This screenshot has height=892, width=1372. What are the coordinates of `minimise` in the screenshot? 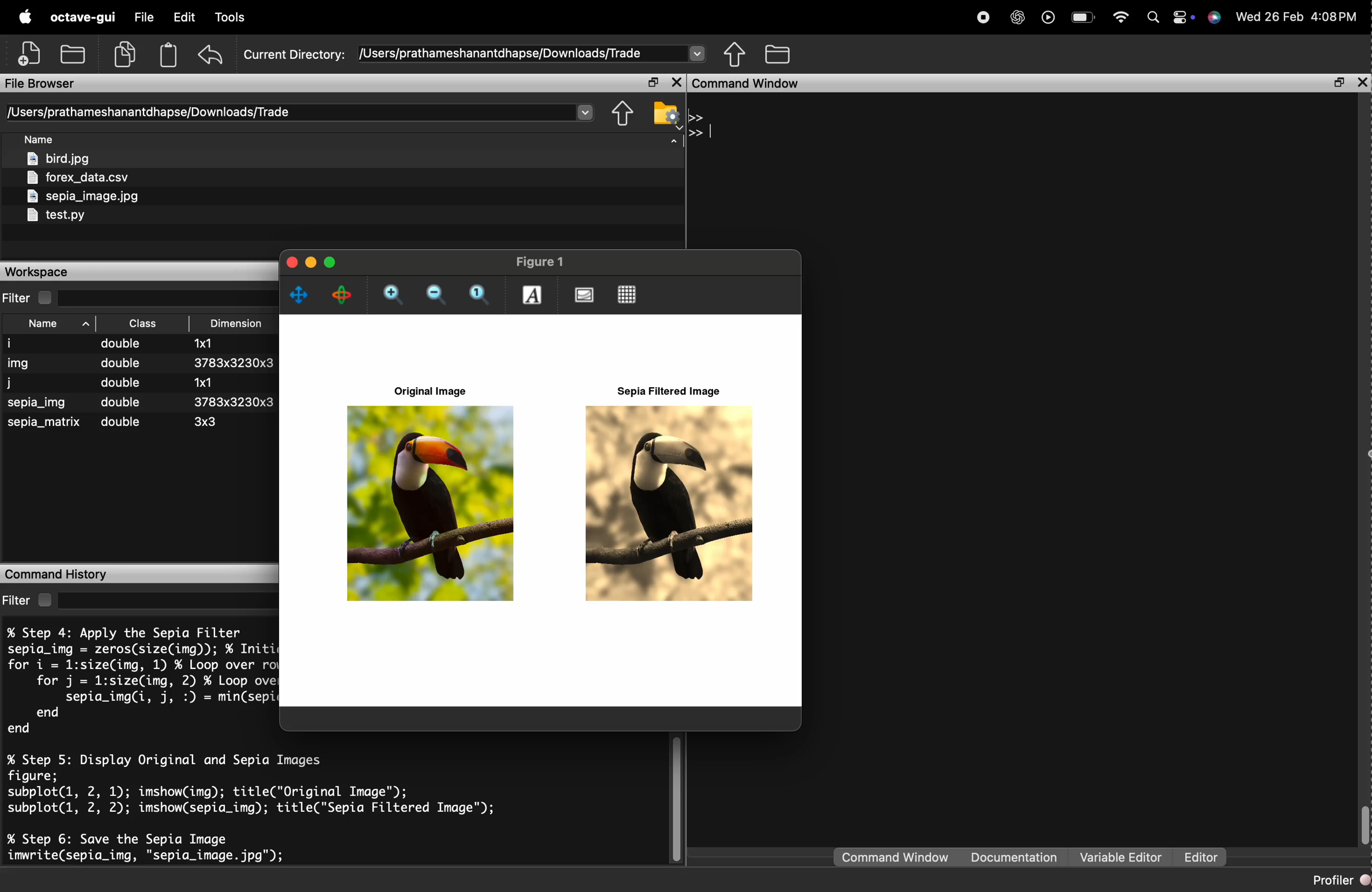 It's located at (309, 262).